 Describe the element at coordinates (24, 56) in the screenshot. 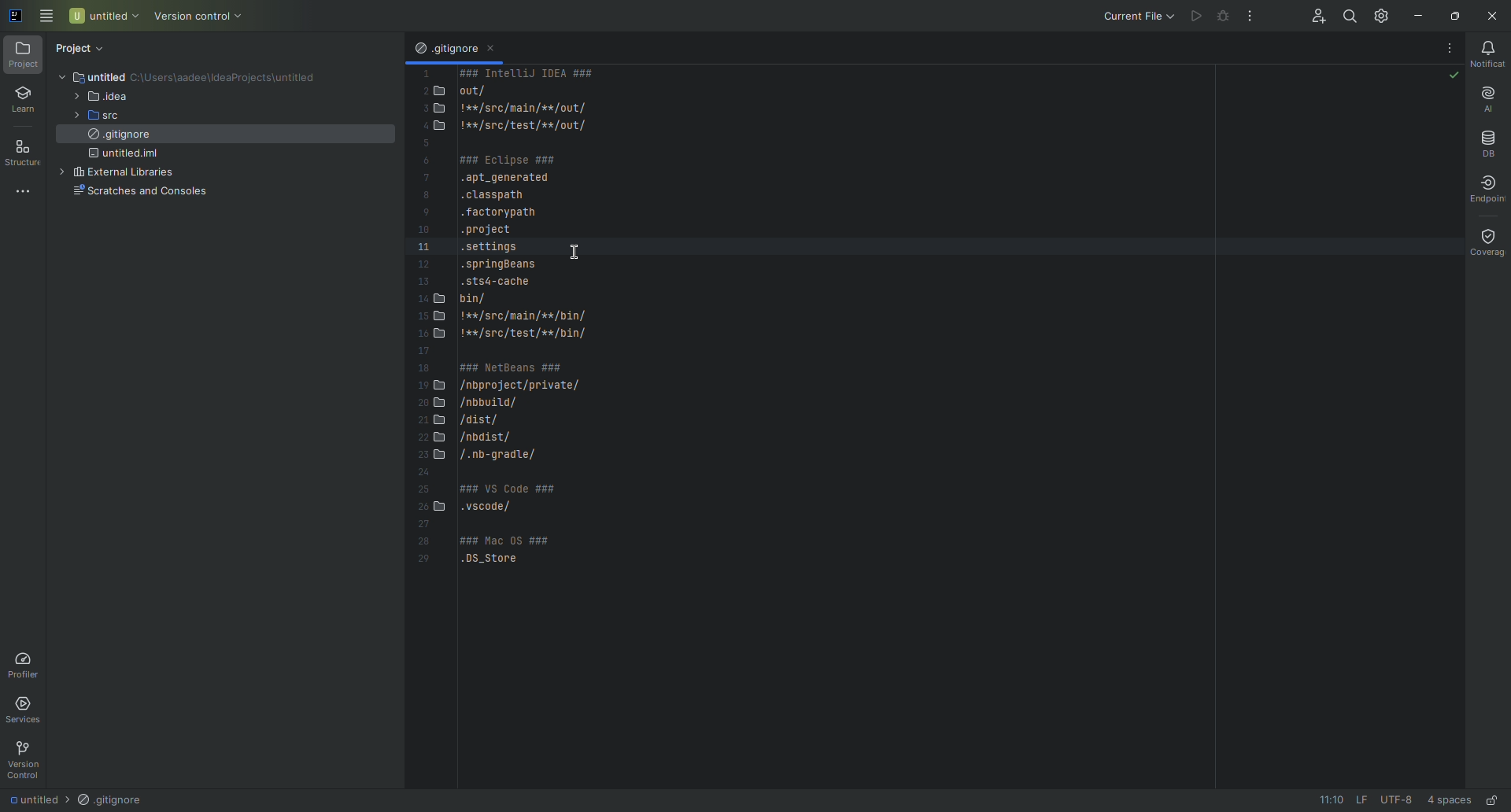

I see `Project` at that location.